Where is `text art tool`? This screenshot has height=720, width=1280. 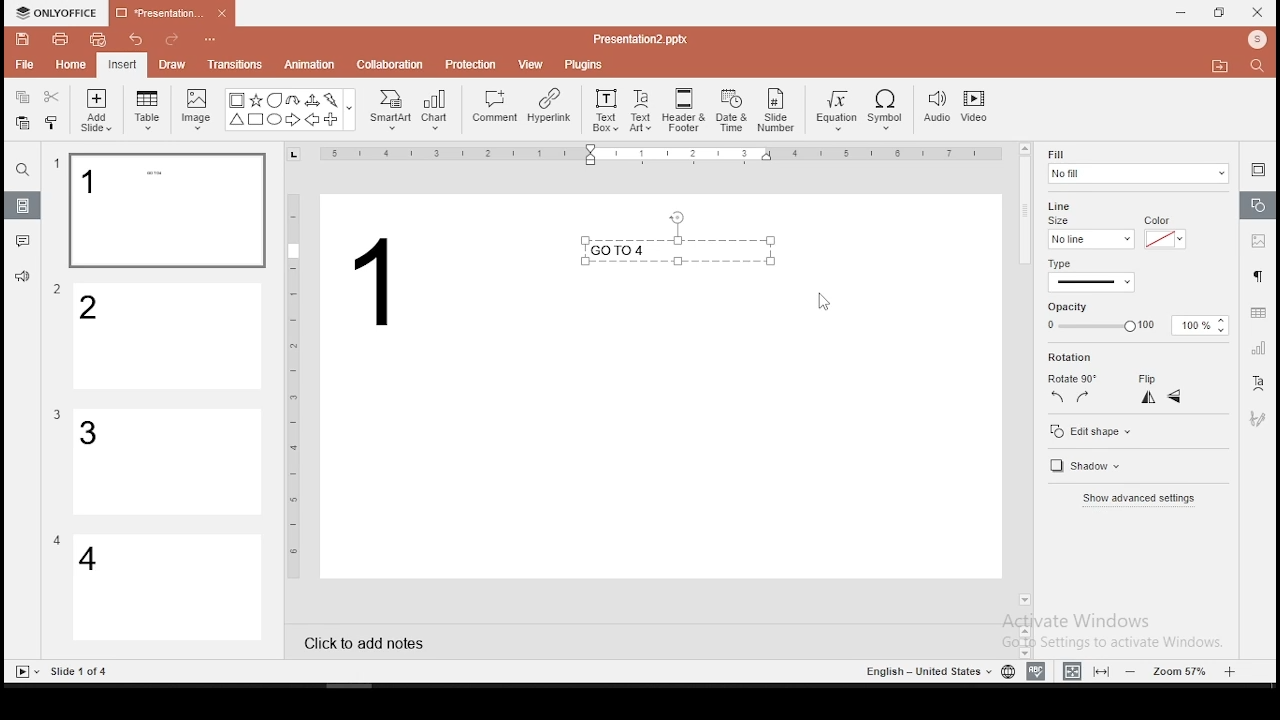
text art tool is located at coordinates (1257, 384).